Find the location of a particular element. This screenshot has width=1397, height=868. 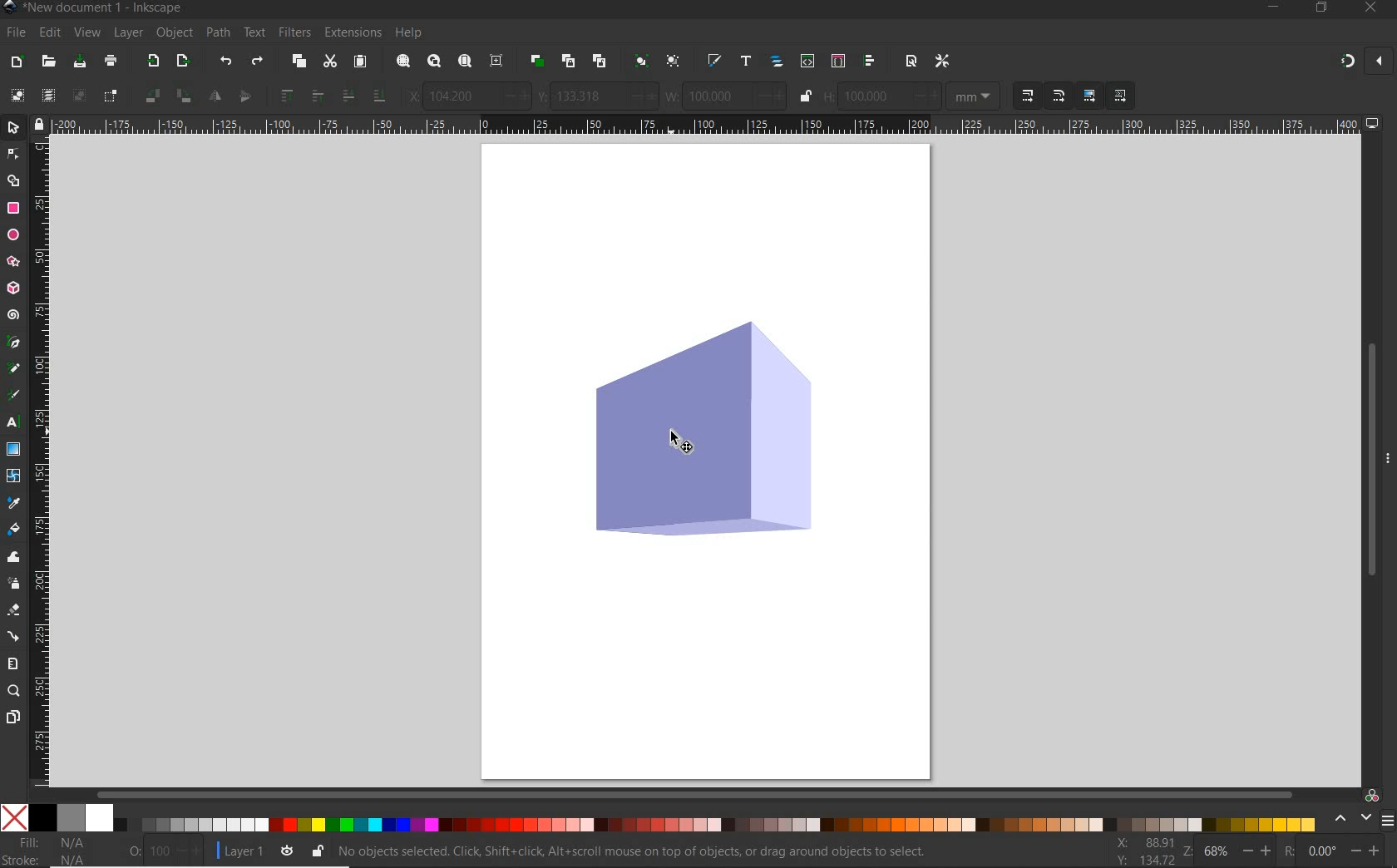

SNODE TOOL is located at coordinates (12, 154).